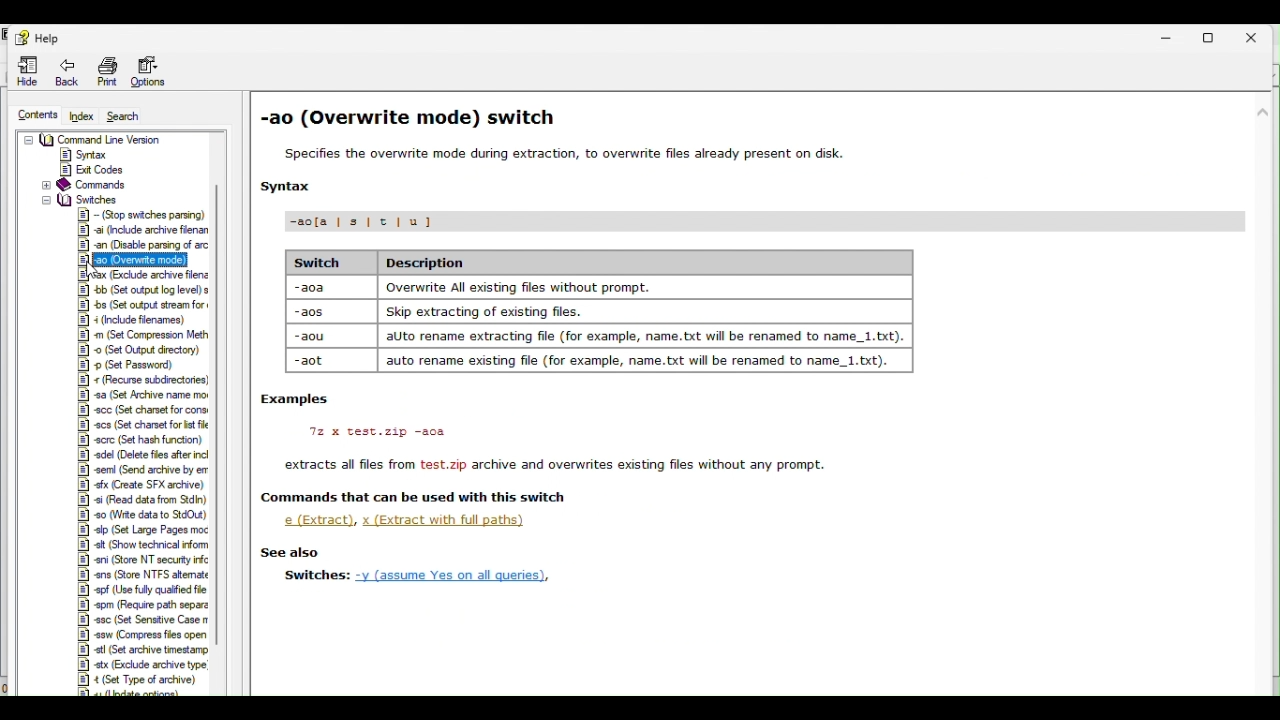 The height and width of the screenshot is (720, 1280). What do you see at coordinates (145, 514) in the screenshot?
I see `|#] 90 Write data to StdOut) |` at bounding box center [145, 514].